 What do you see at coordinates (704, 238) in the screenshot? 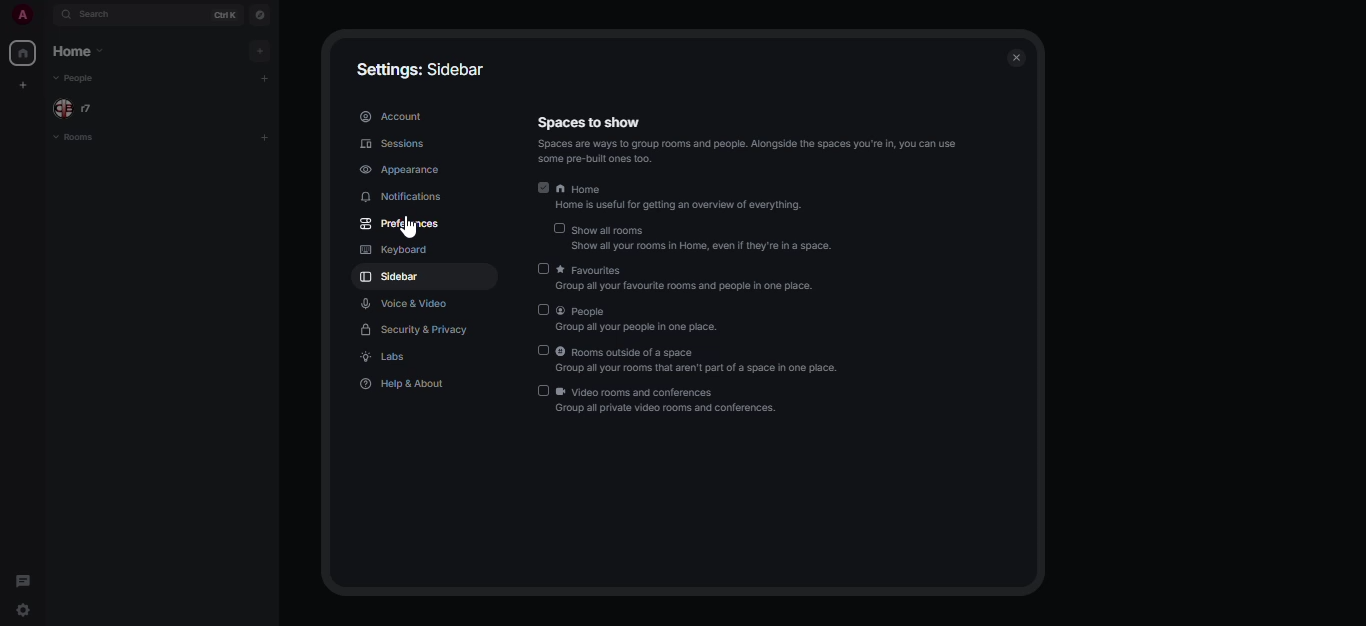
I see `show all rooms` at bounding box center [704, 238].